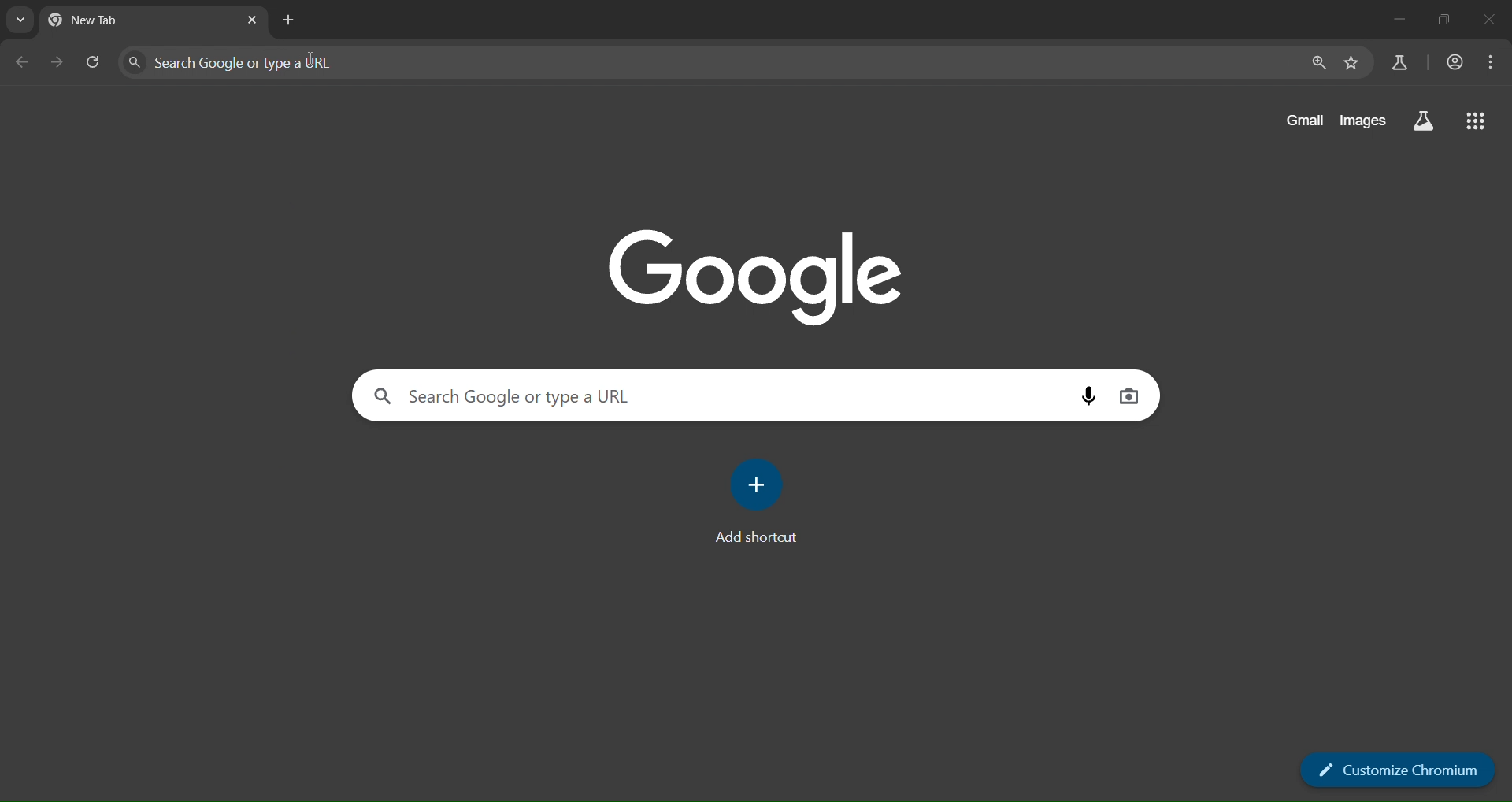  I want to click on minimize, so click(1398, 20).